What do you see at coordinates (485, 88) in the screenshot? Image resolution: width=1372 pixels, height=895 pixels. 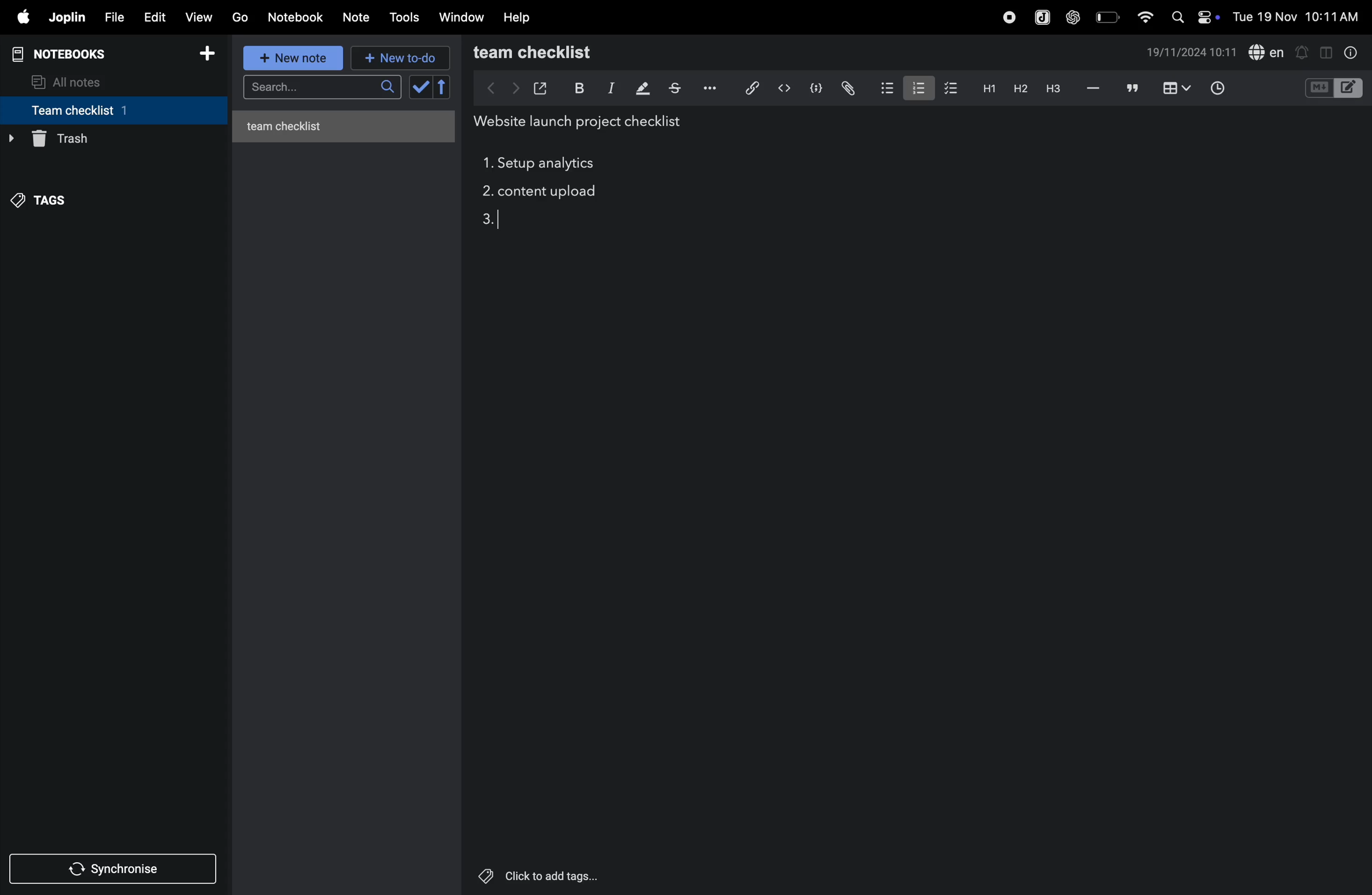 I see `backward` at bounding box center [485, 88].